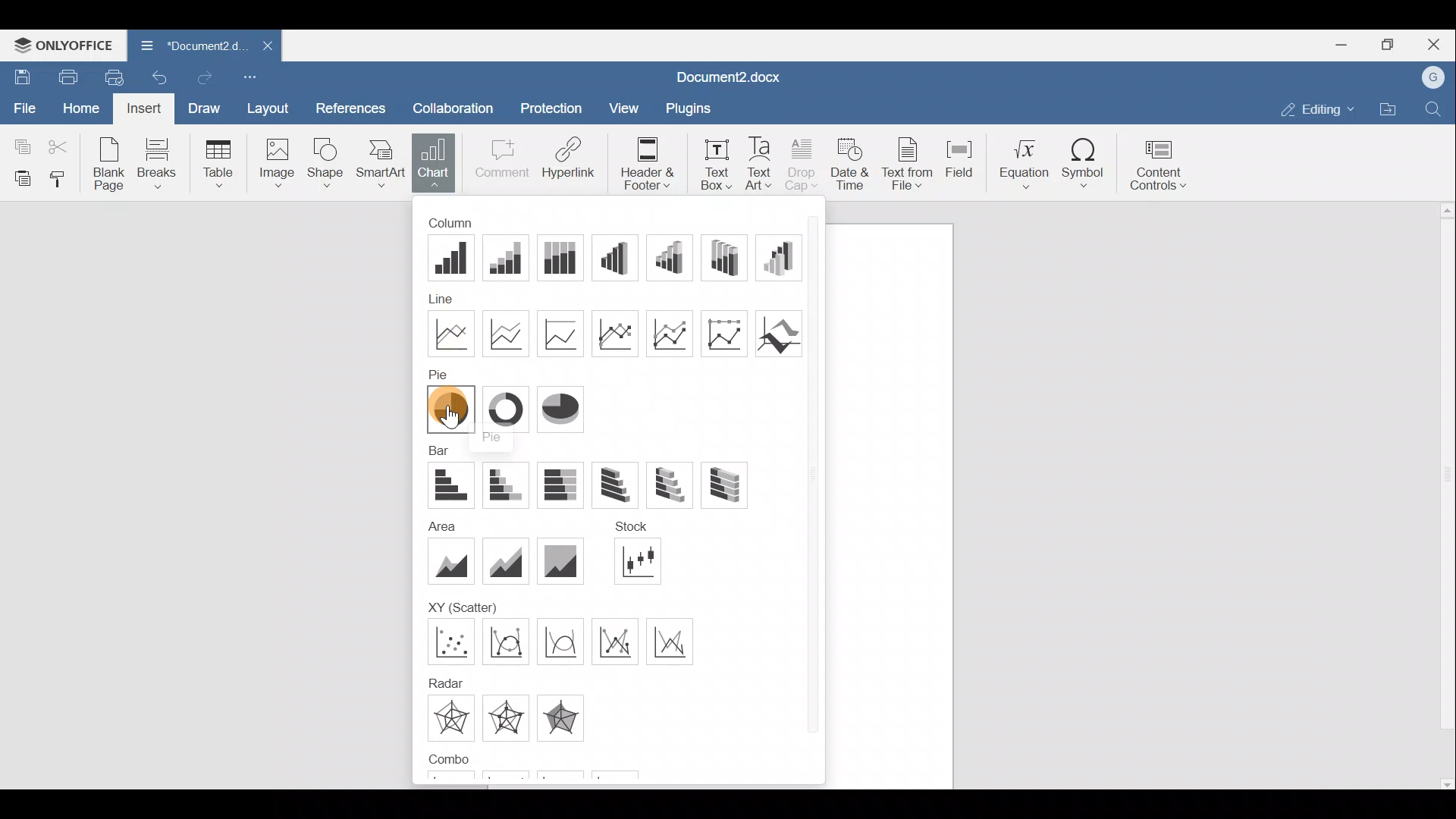 The height and width of the screenshot is (819, 1456). Describe the element at coordinates (667, 333) in the screenshot. I see `Stacked Line with markers` at that location.